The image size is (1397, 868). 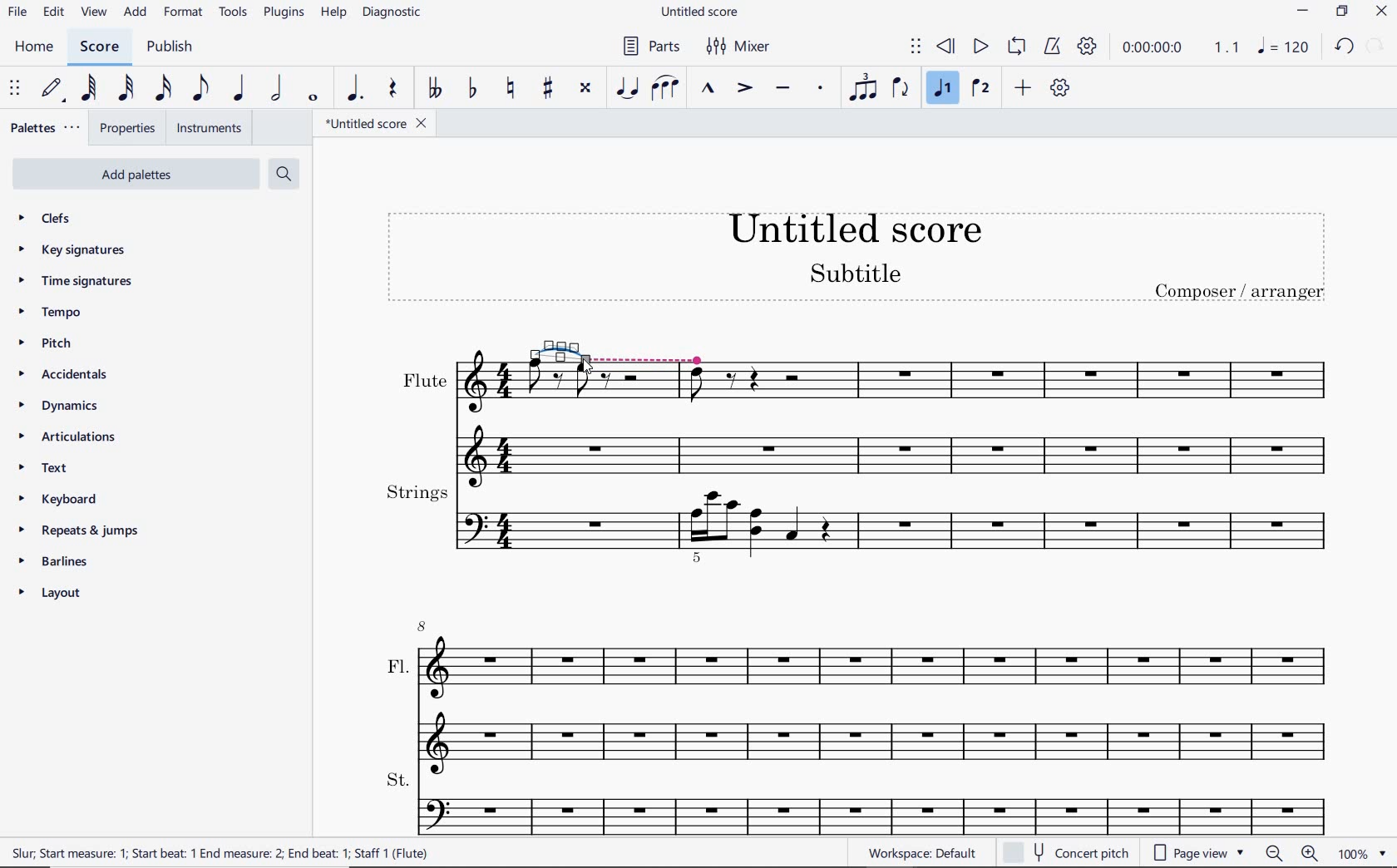 I want to click on workplace: default, so click(x=926, y=855).